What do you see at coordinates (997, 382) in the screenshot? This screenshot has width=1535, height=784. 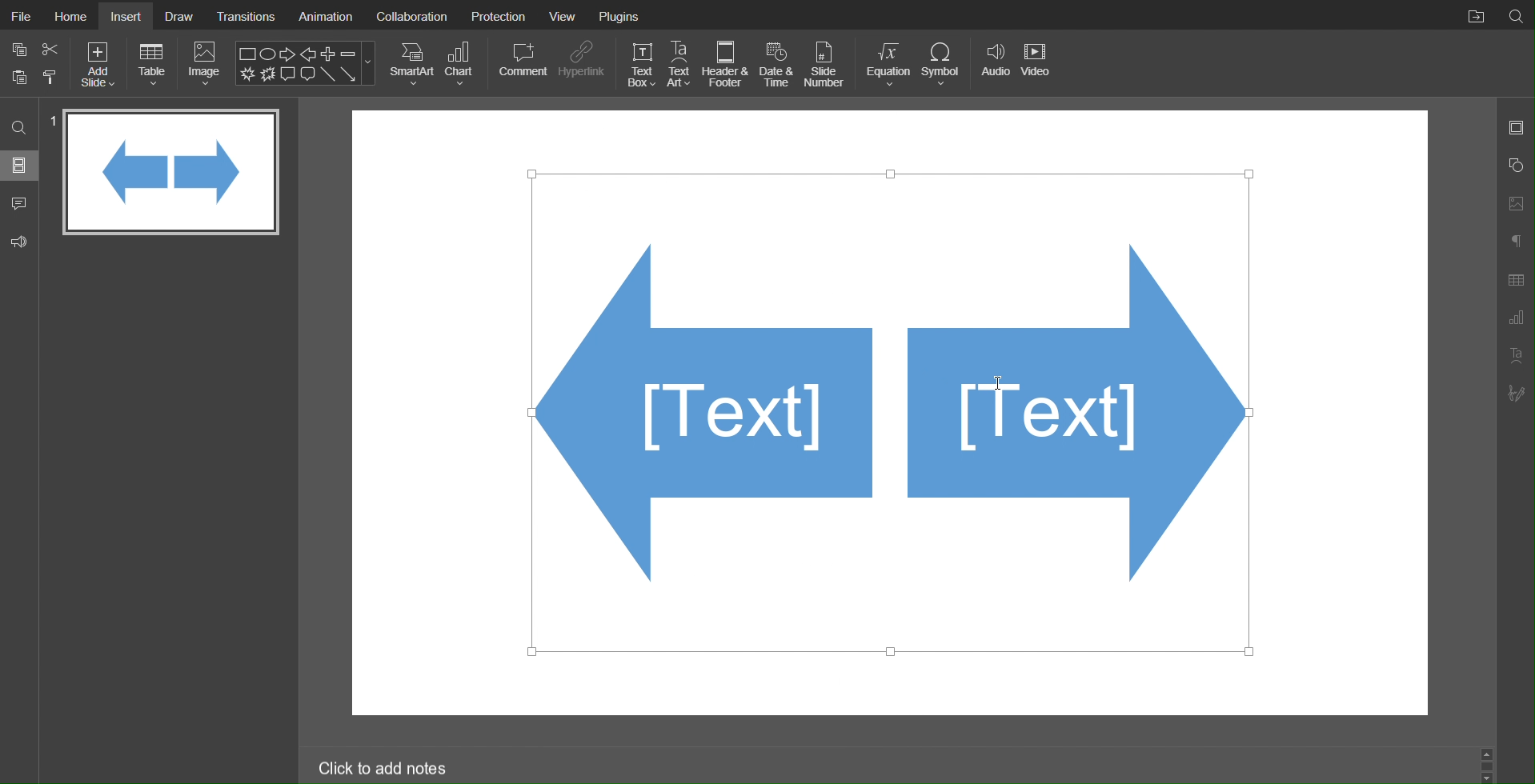 I see `cursor` at bounding box center [997, 382].